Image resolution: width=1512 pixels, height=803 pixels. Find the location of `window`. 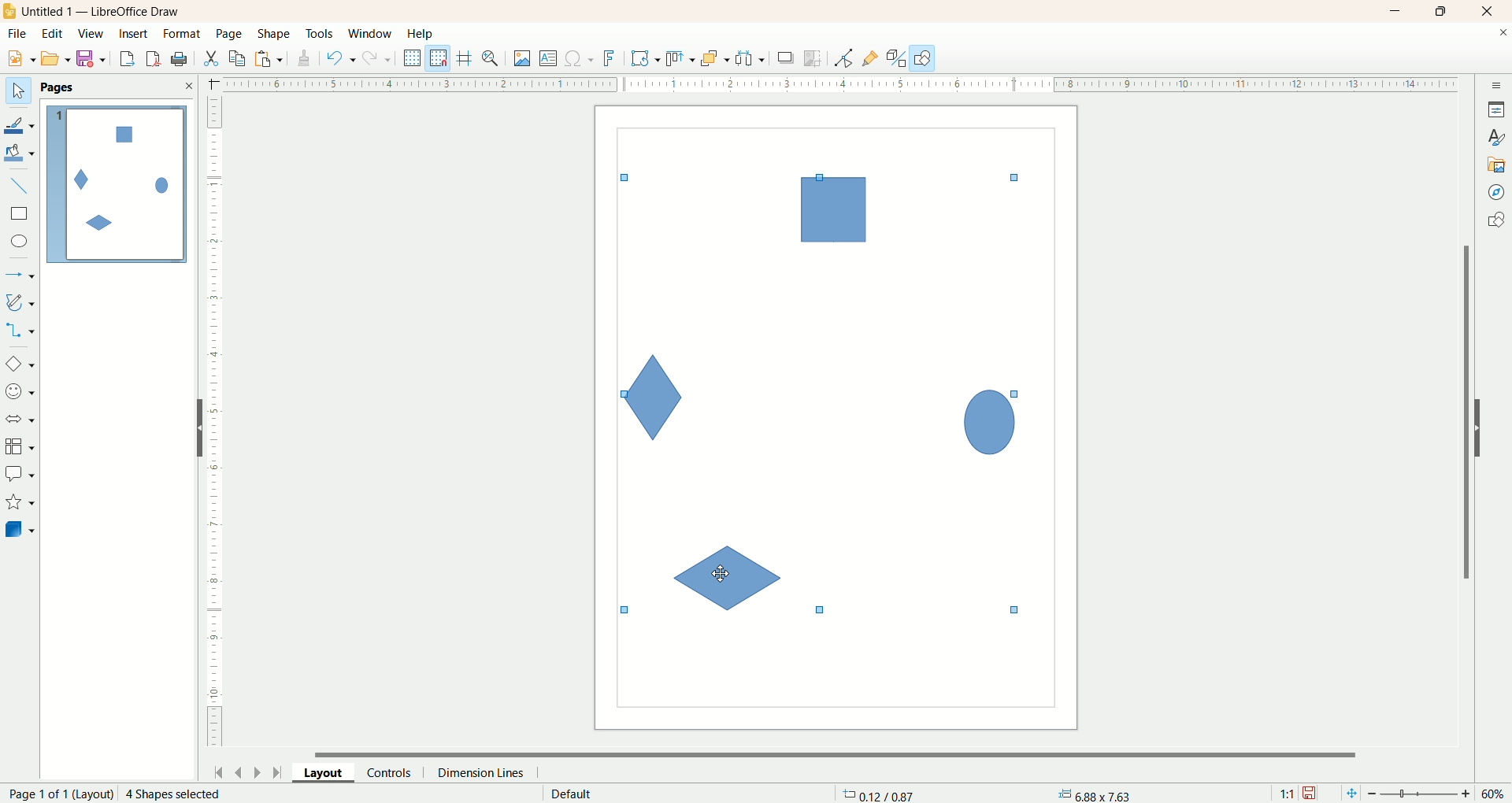

window is located at coordinates (374, 35).